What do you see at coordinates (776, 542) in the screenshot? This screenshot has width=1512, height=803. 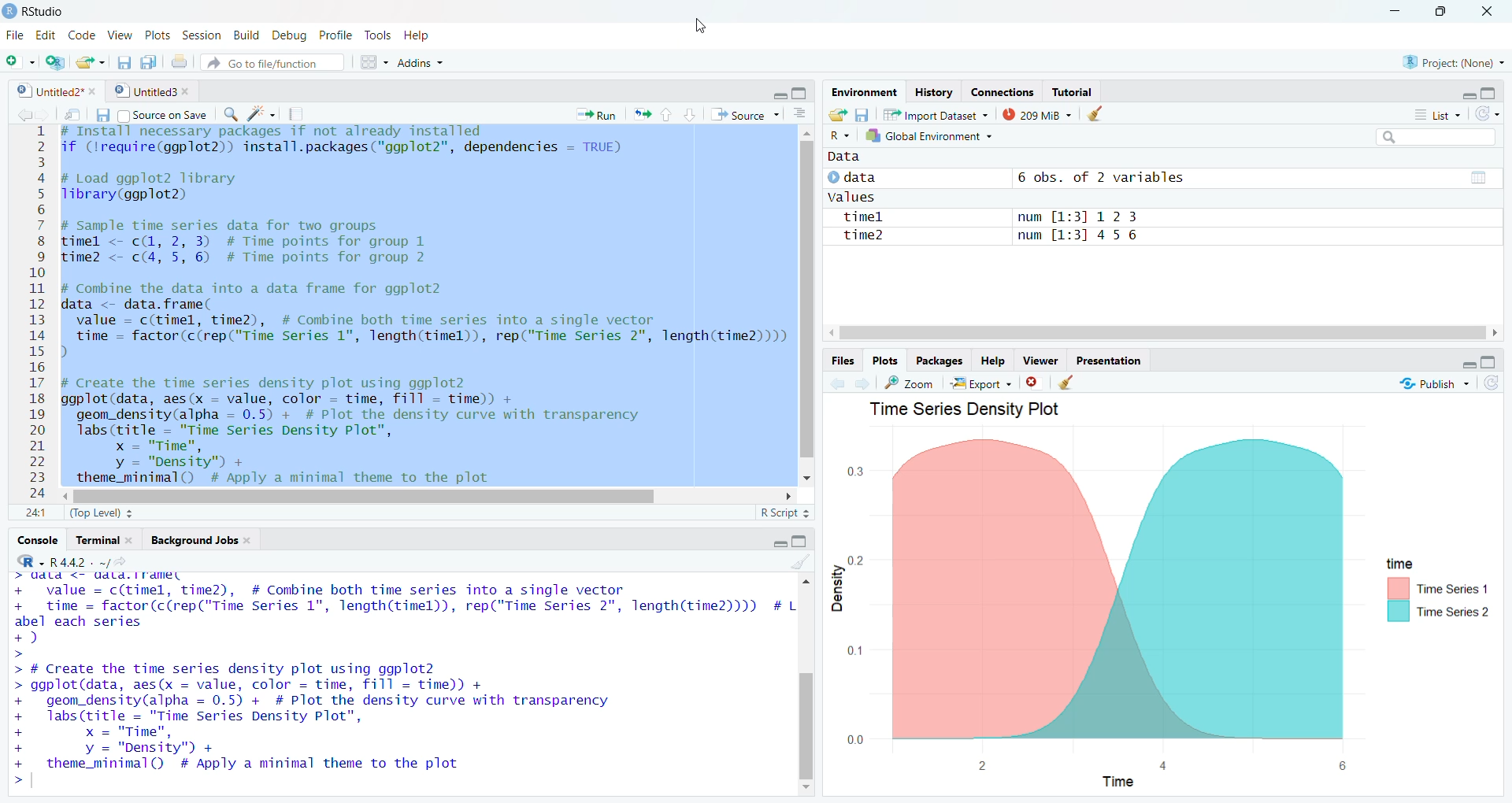 I see `Minimize` at bounding box center [776, 542].